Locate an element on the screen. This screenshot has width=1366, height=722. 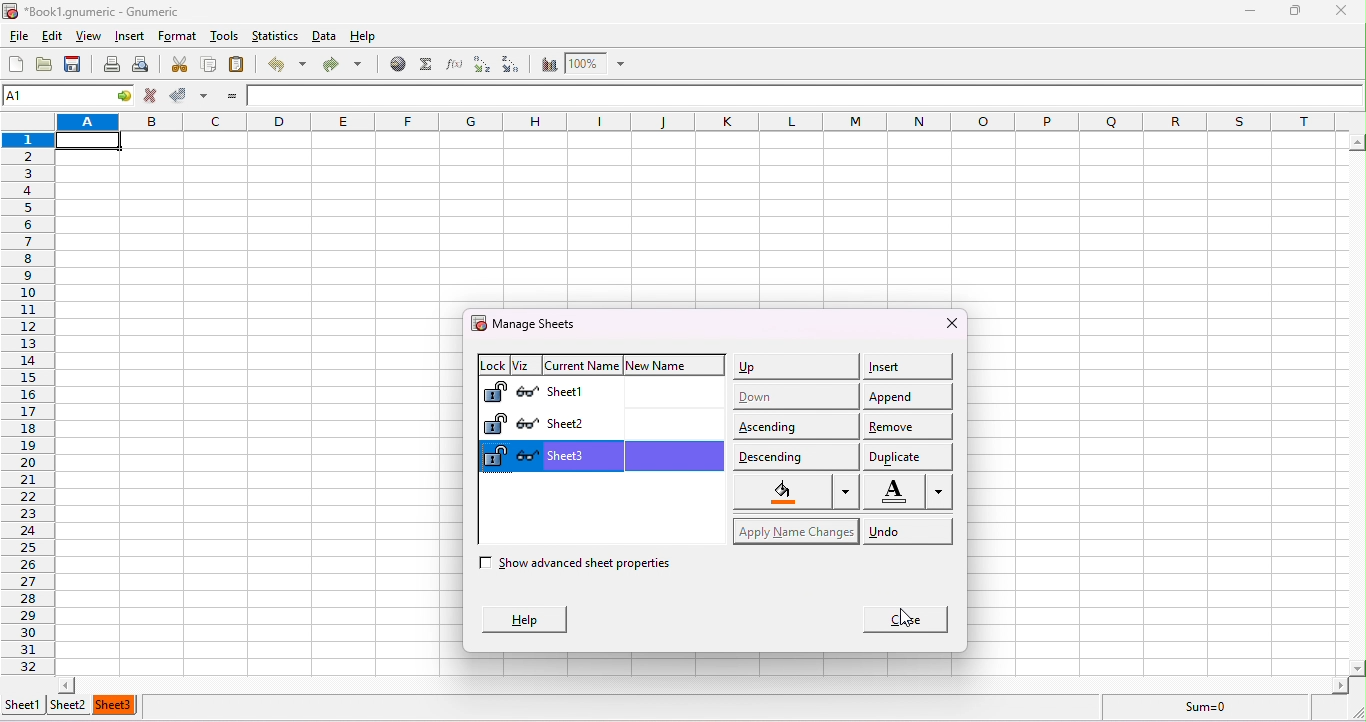
apply name changes is located at coordinates (794, 529).